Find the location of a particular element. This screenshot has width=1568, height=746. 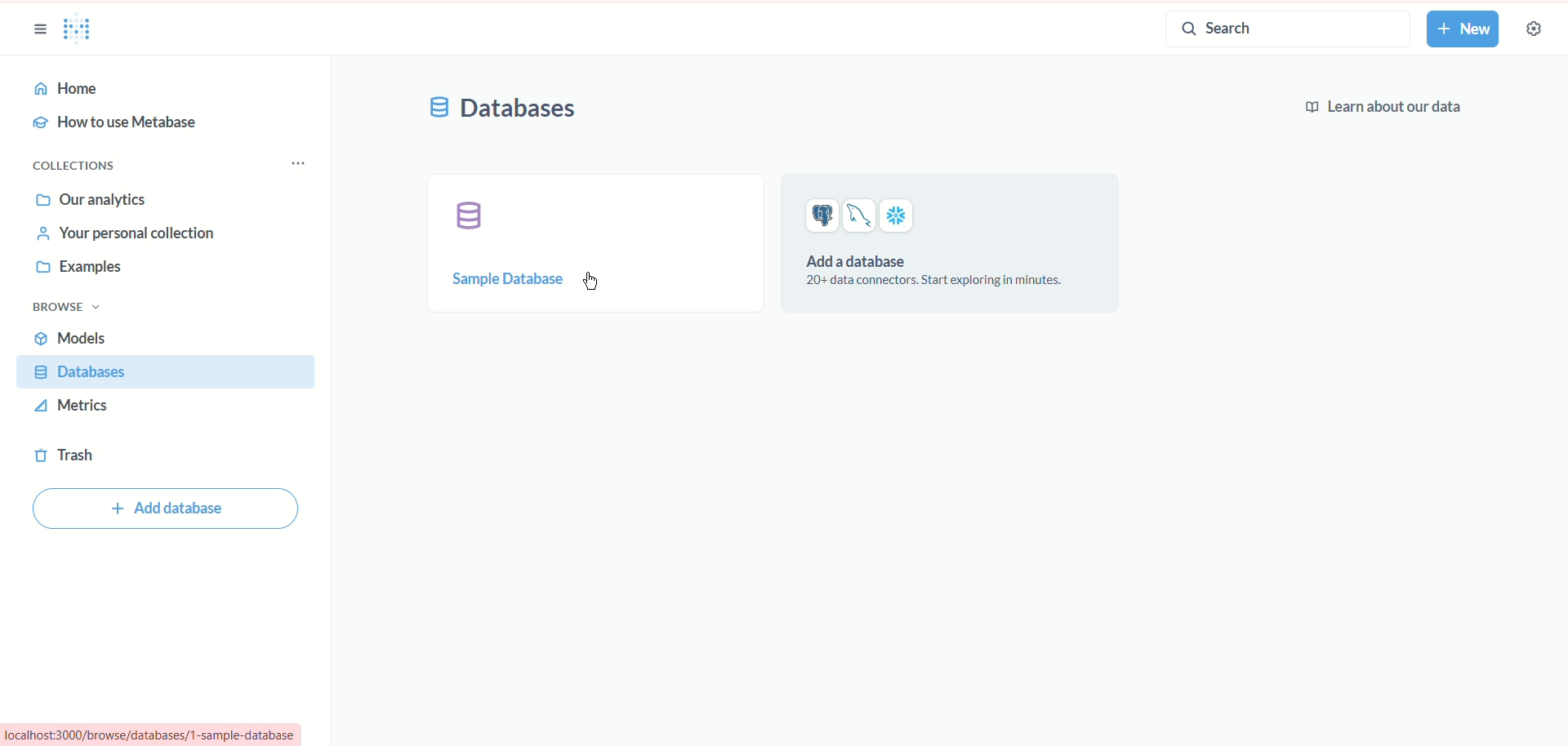

examples is located at coordinates (81, 269).